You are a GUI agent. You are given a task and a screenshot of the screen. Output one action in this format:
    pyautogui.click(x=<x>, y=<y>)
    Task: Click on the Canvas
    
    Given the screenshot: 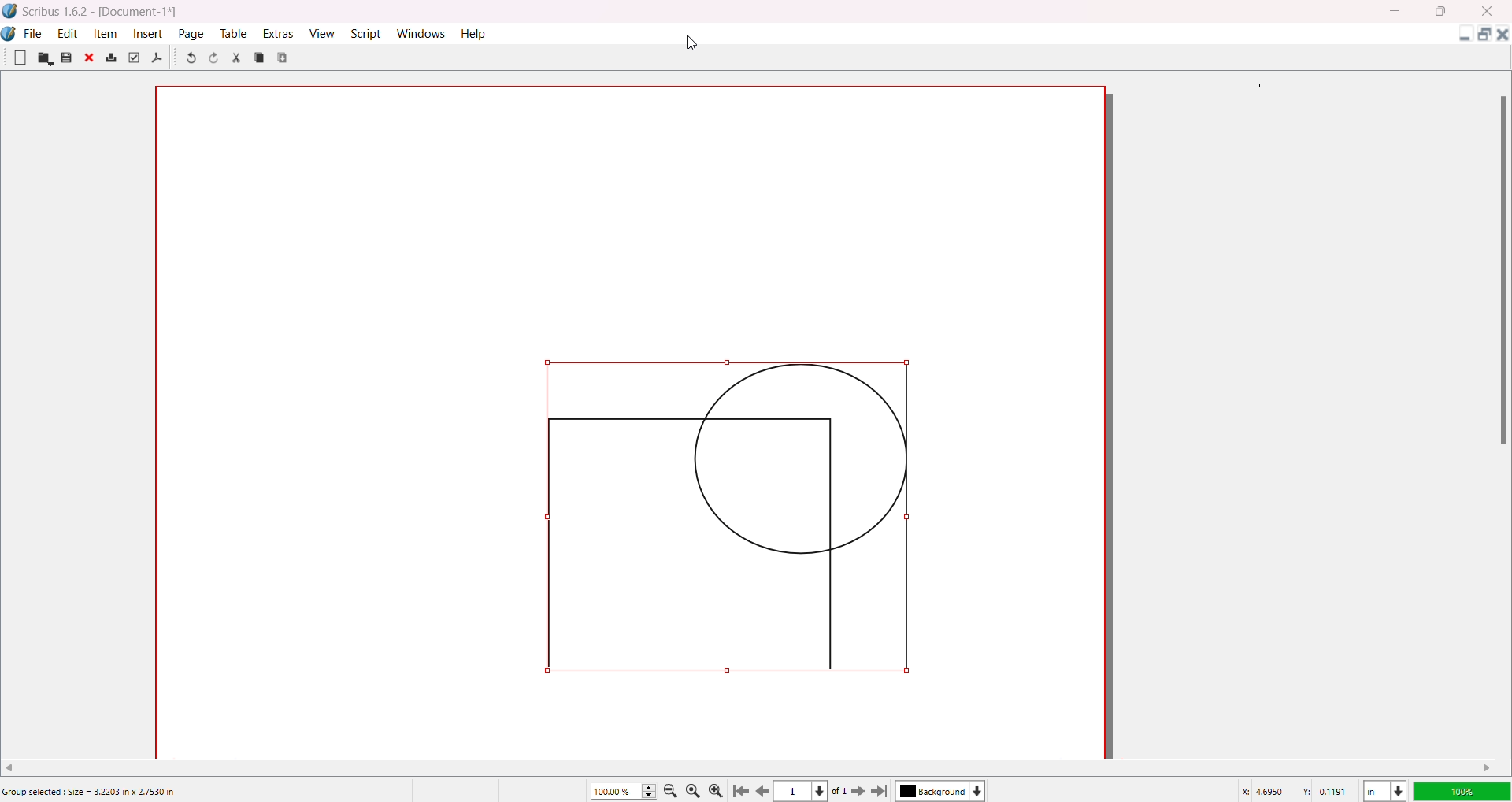 What is the action you would take?
    pyautogui.click(x=652, y=418)
    